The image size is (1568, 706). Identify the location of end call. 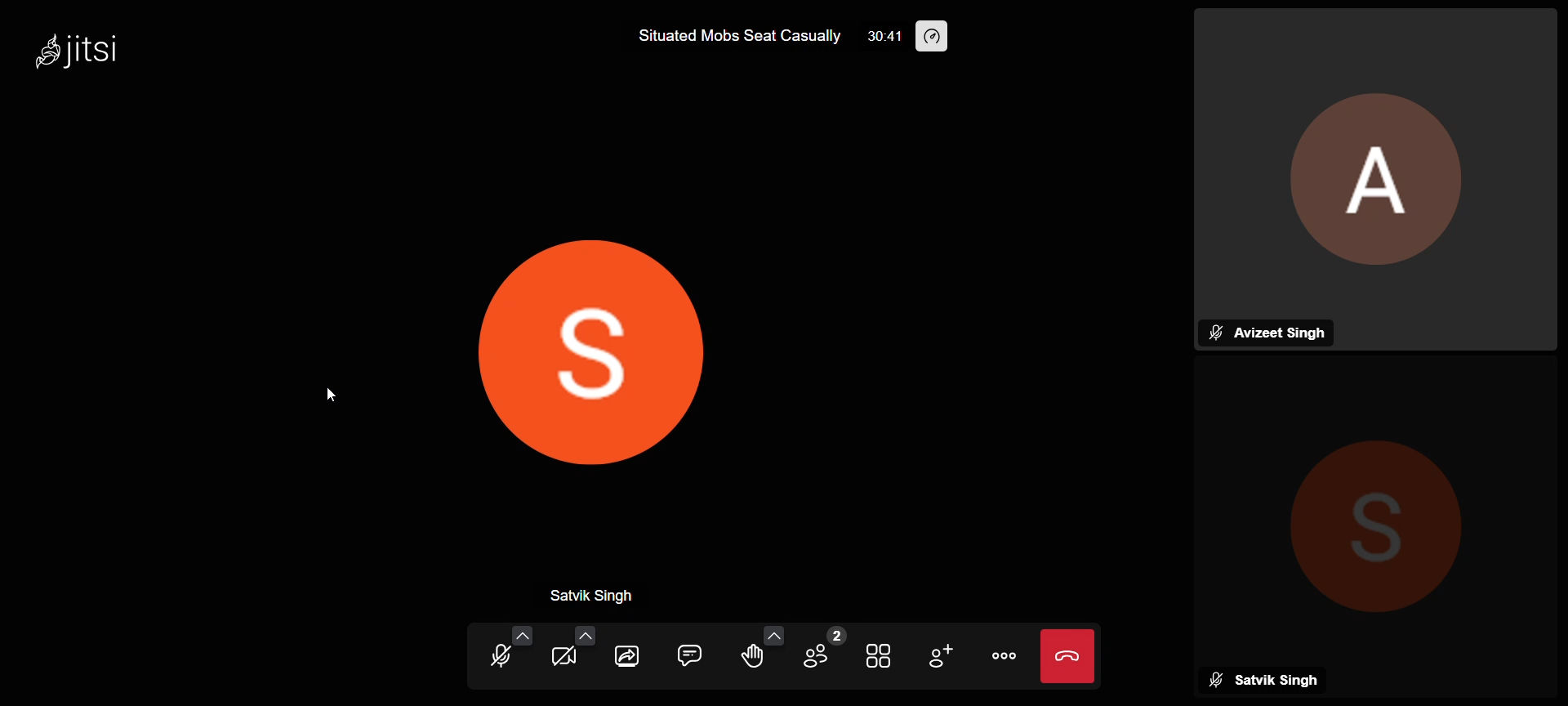
(1070, 655).